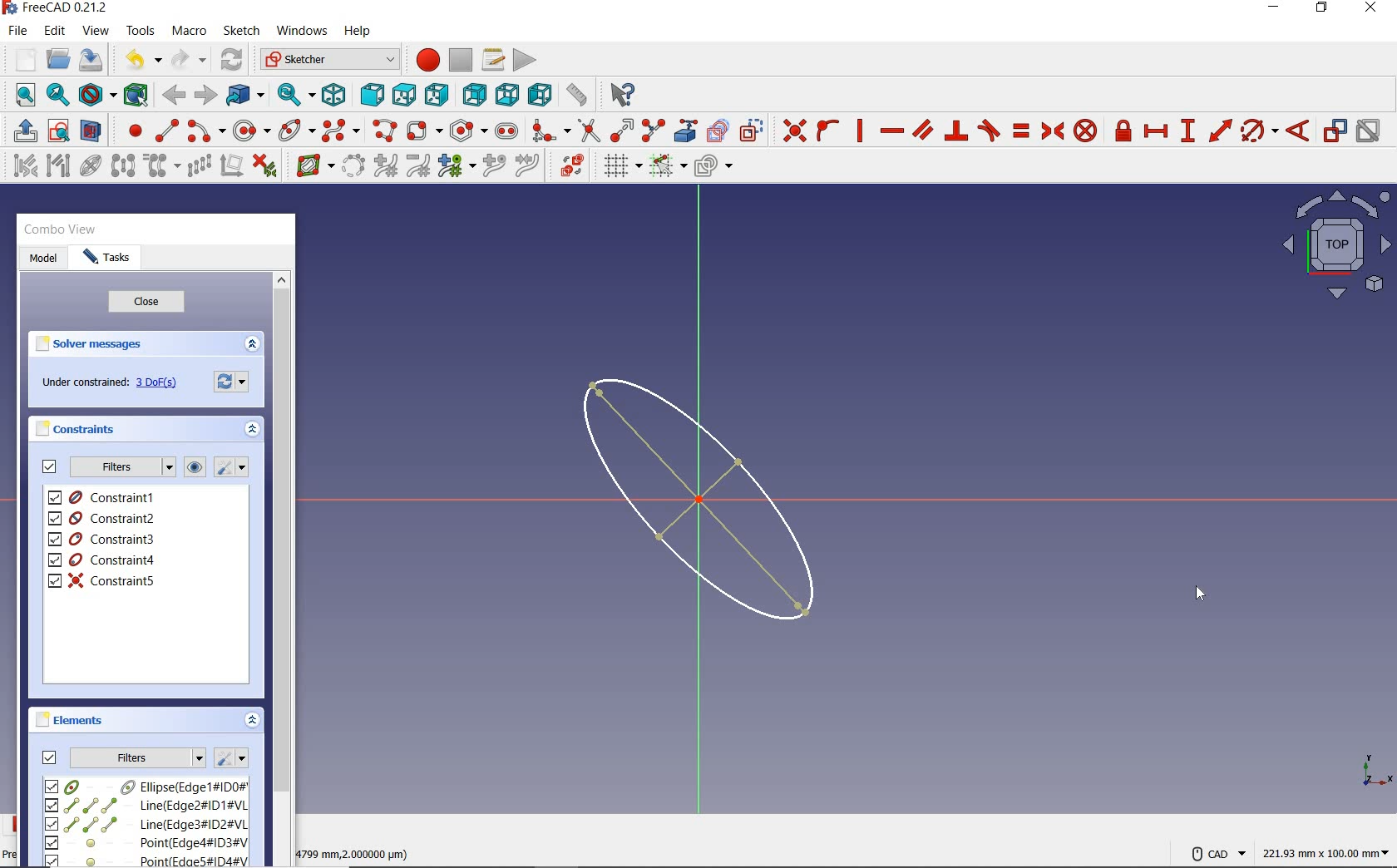 This screenshot has height=868, width=1397. Describe the element at coordinates (206, 129) in the screenshot. I see `create arc` at that location.